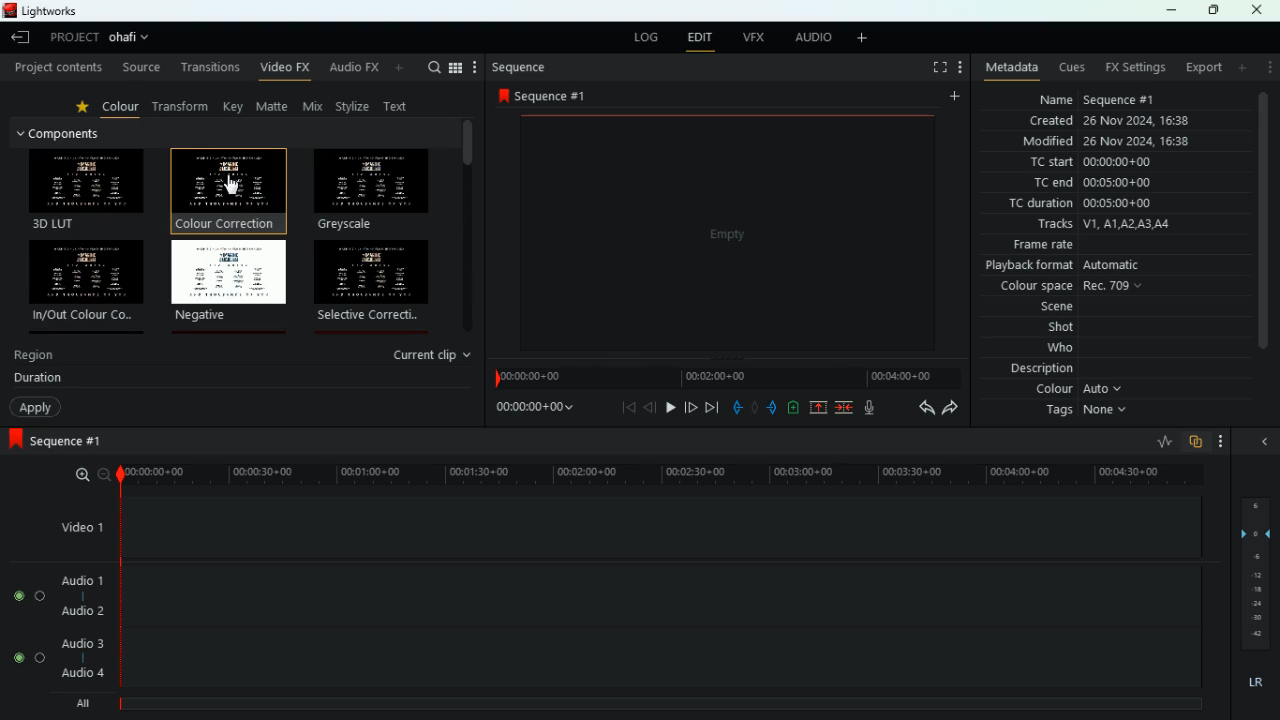 Image resolution: width=1280 pixels, height=720 pixels. Describe the element at coordinates (14, 440) in the screenshot. I see `icon` at that location.